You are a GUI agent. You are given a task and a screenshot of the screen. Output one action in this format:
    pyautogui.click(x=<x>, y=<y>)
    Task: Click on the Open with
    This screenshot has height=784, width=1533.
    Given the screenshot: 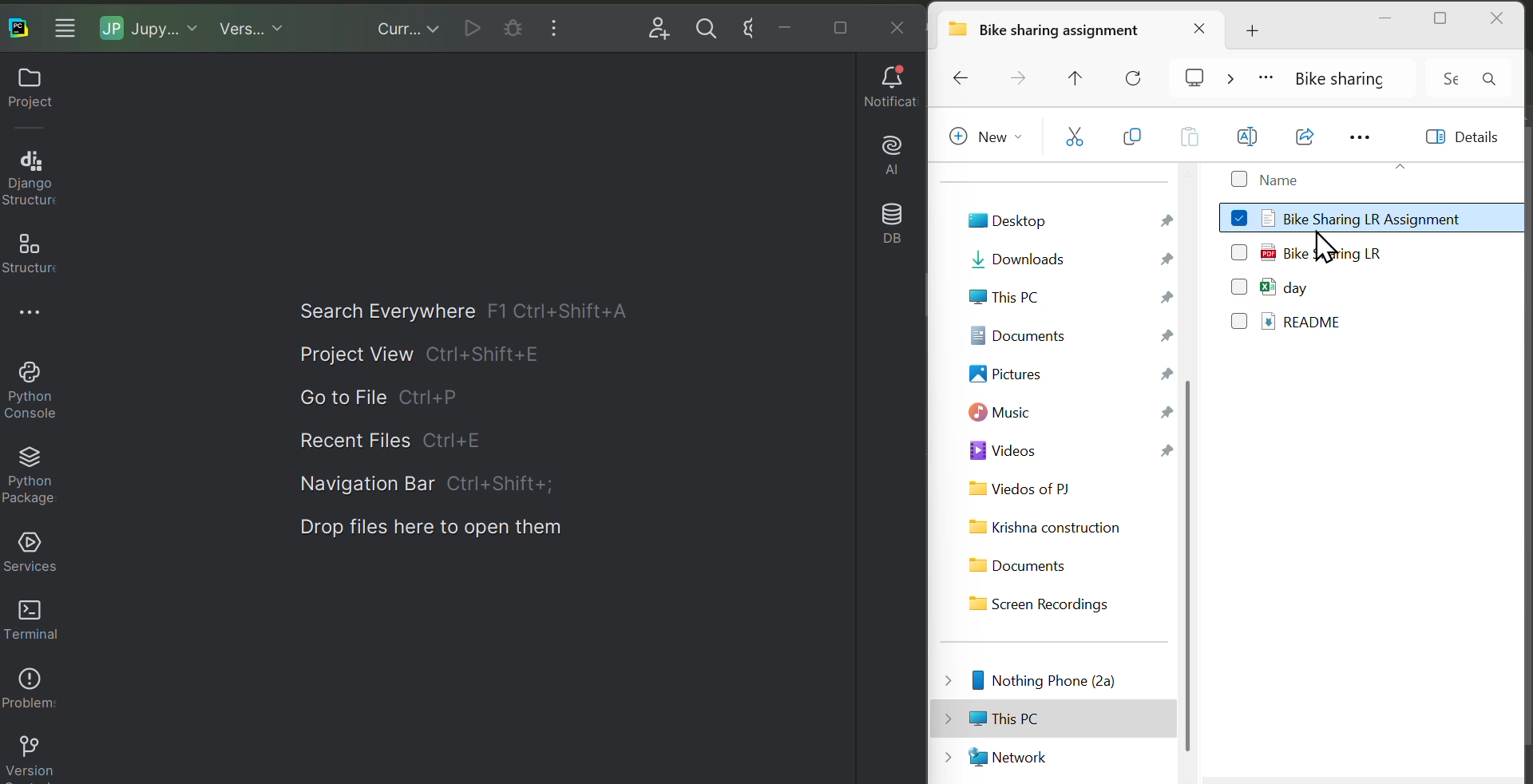 What is the action you would take?
    pyautogui.click(x=1311, y=137)
    